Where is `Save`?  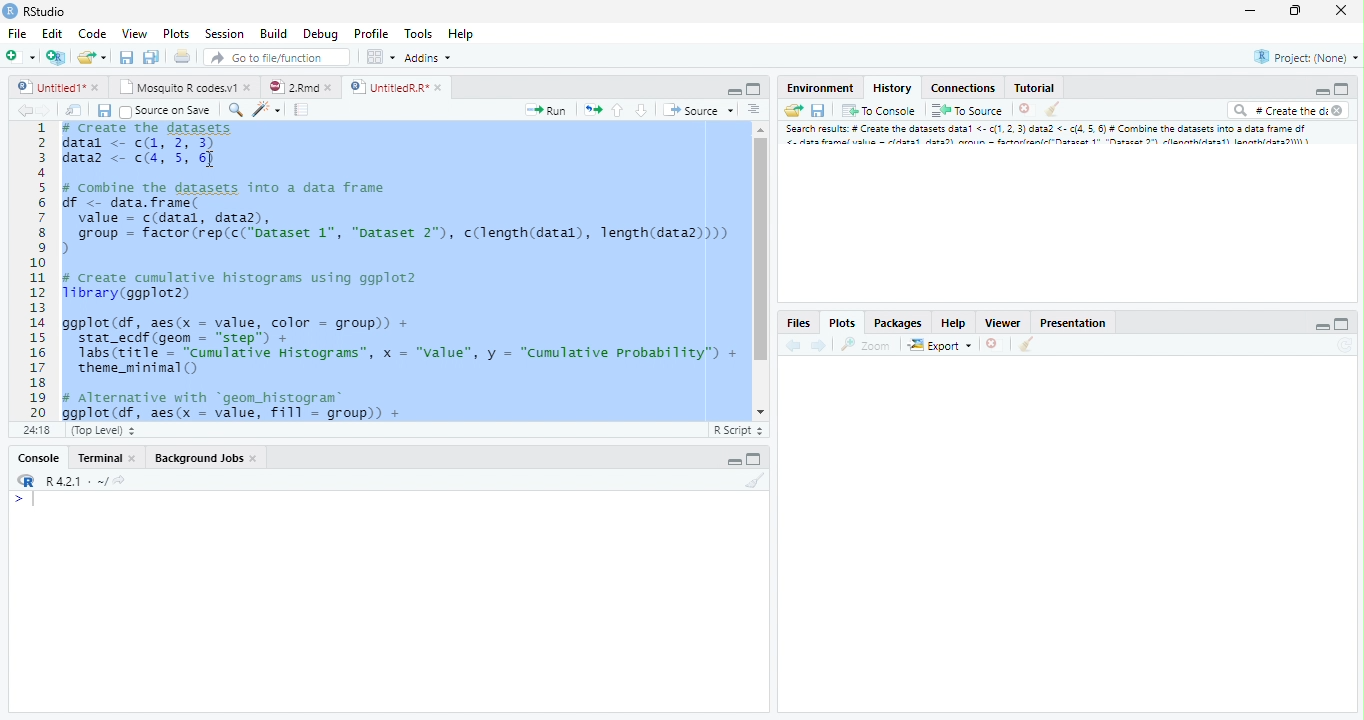
Save is located at coordinates (104, 111).